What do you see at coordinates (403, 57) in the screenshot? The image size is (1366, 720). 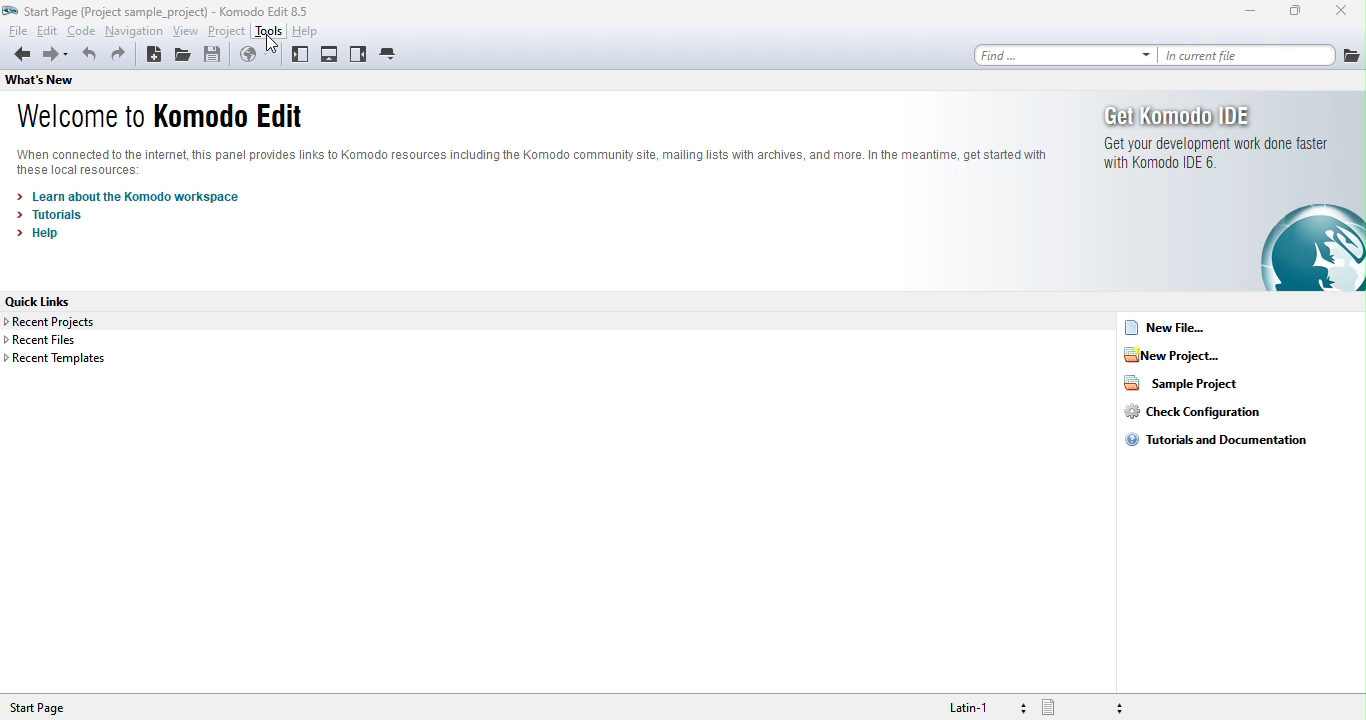 I see `tab` at bounding box center [403, 57].